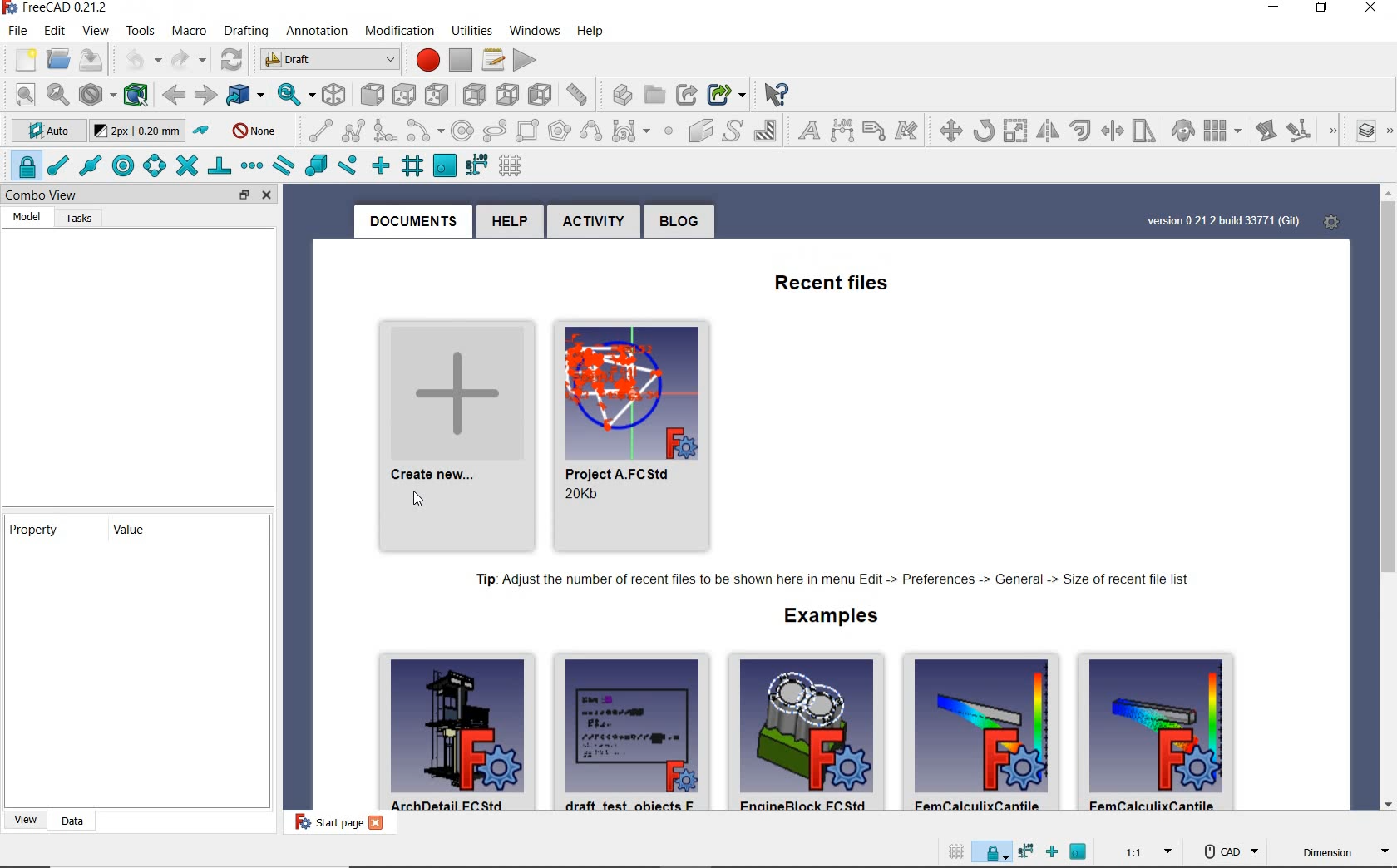 This screenshot has width=1397, height=868. Describe the element at coordinates (21, 57) in the screenshot. I see `new` at that location.